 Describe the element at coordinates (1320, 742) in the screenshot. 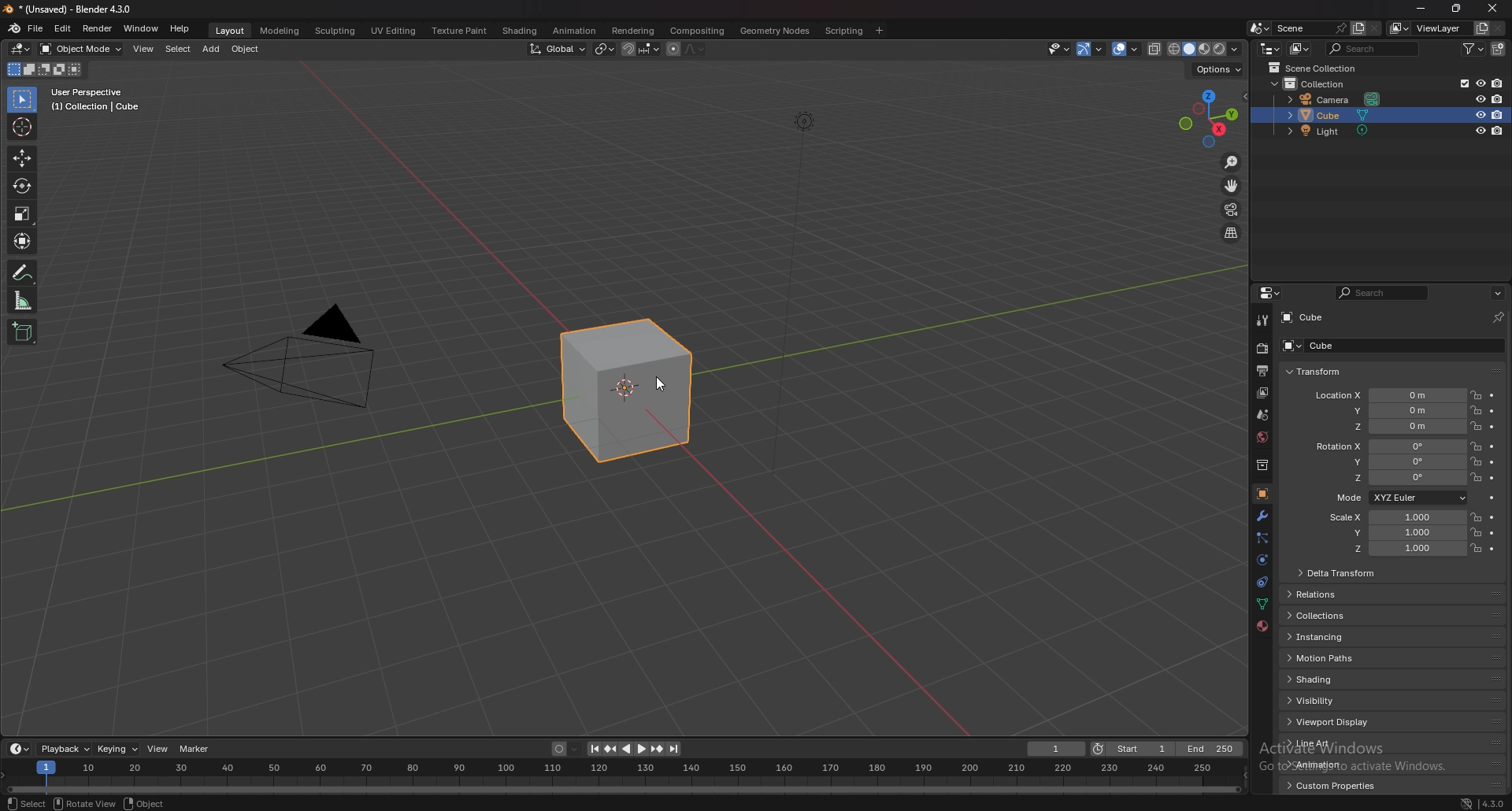

I see `line art` at that location.